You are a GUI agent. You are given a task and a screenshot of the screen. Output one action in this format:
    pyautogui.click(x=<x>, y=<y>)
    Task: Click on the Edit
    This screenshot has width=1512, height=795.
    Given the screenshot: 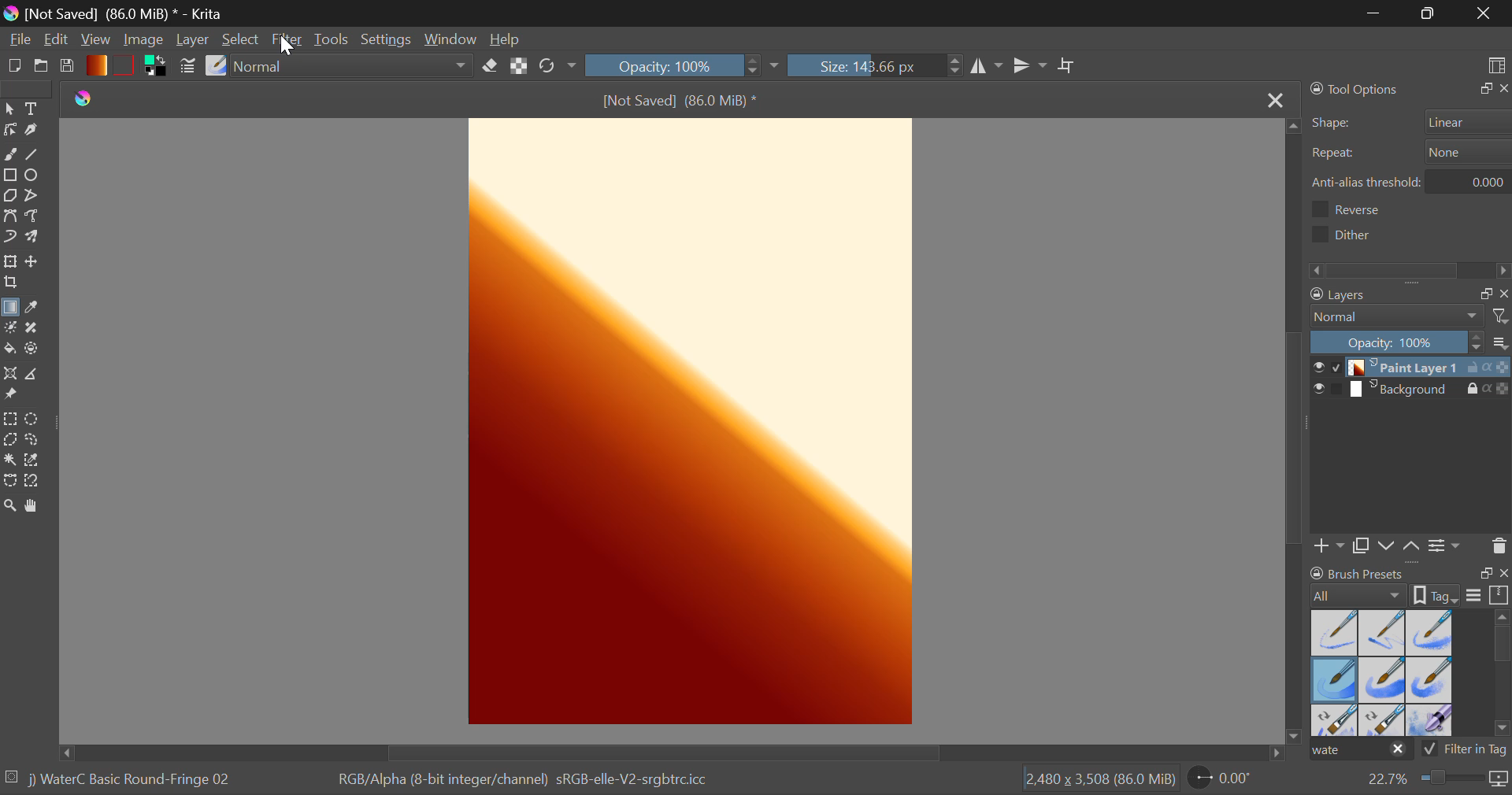 What is the action you would take?
    pyautogui.click(x=56, y=39)
    